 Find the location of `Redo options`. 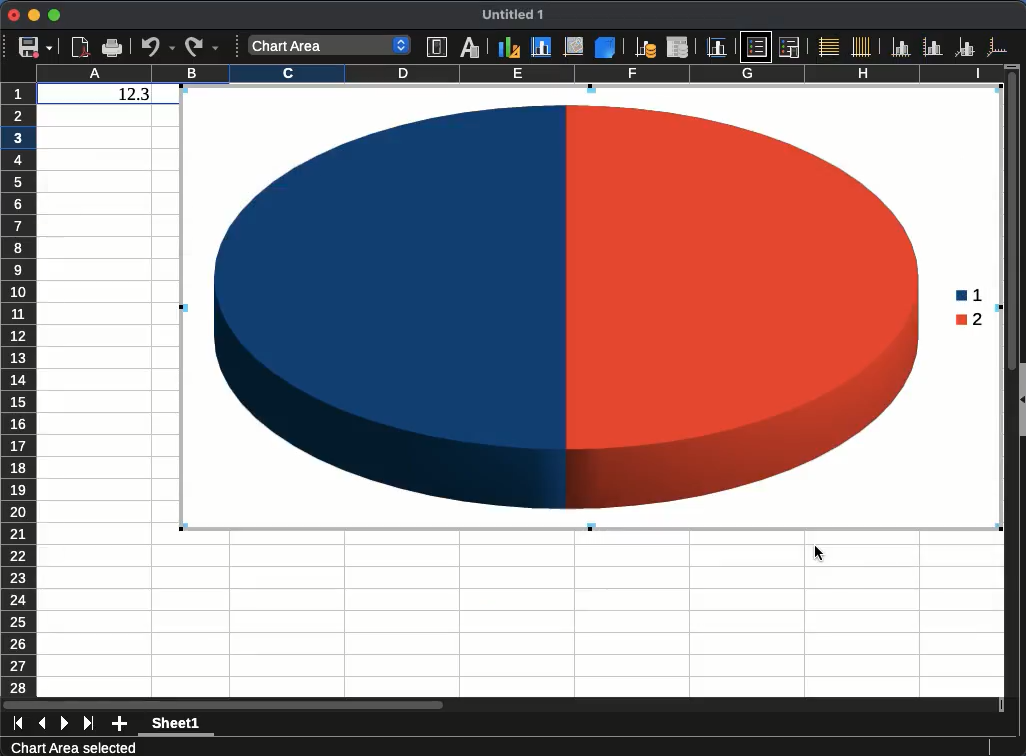

Redo options is located at coordinates (202, 47).